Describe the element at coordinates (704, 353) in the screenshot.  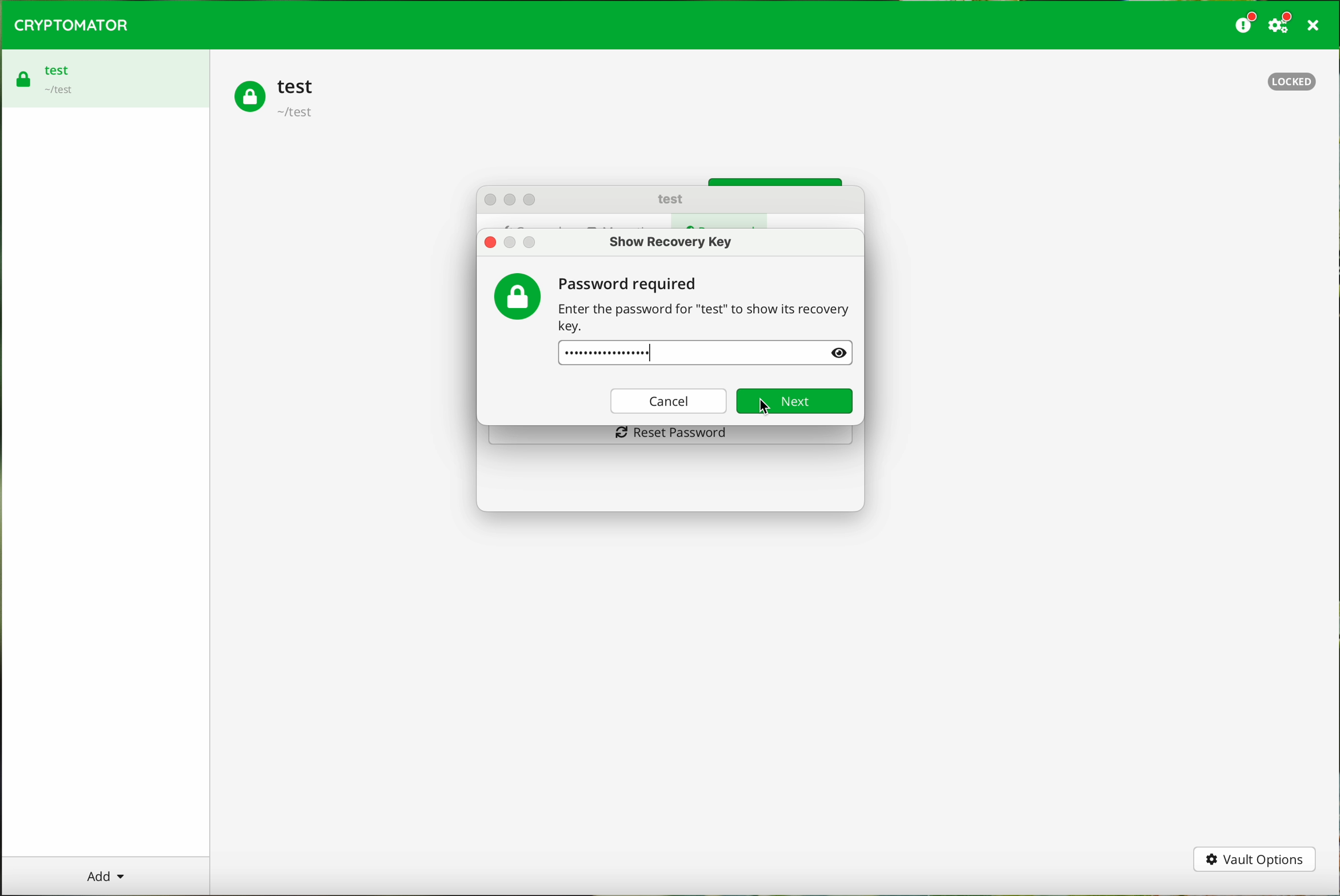
I see `password` at that location.